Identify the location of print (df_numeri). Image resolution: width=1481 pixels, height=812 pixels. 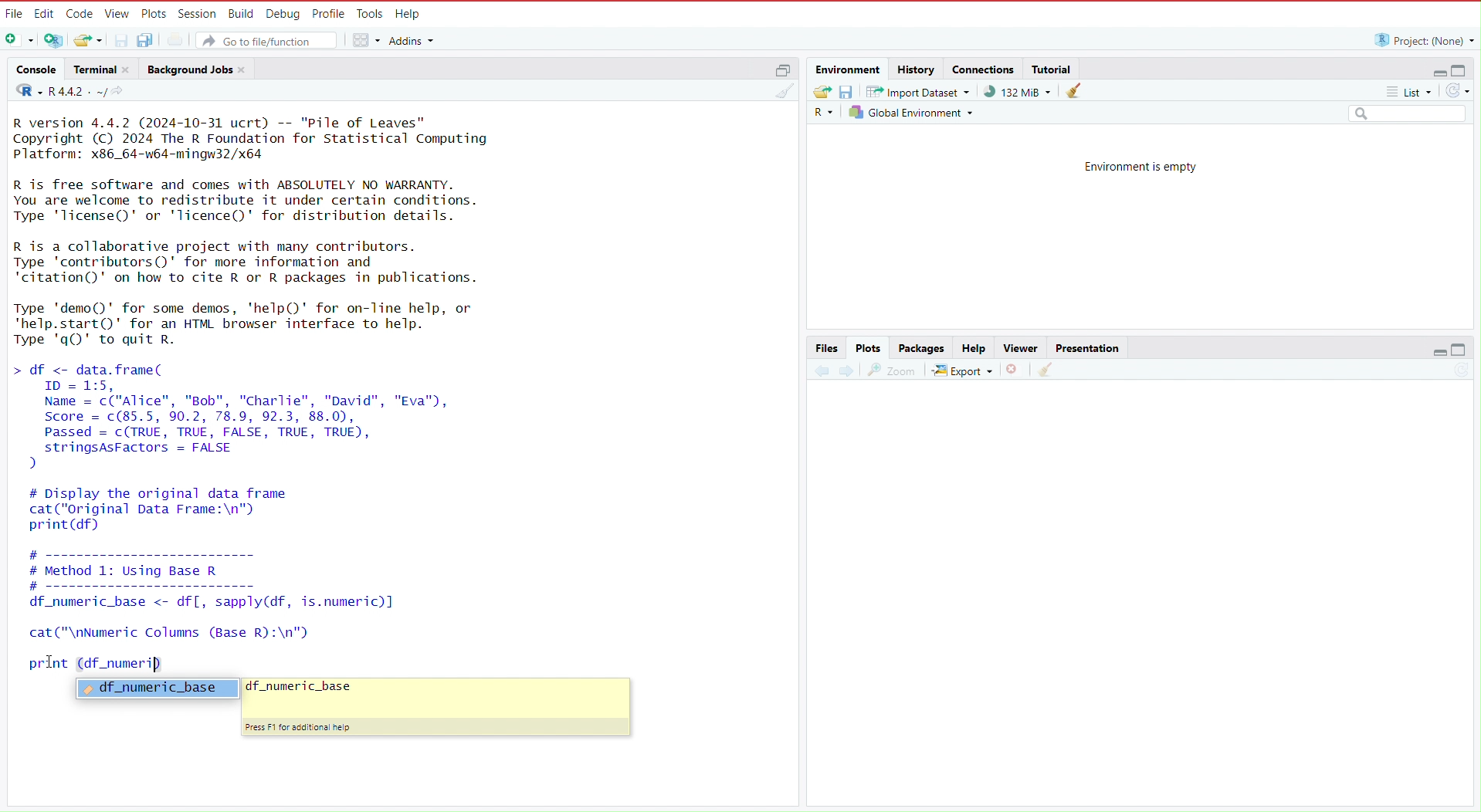
(90, 662).